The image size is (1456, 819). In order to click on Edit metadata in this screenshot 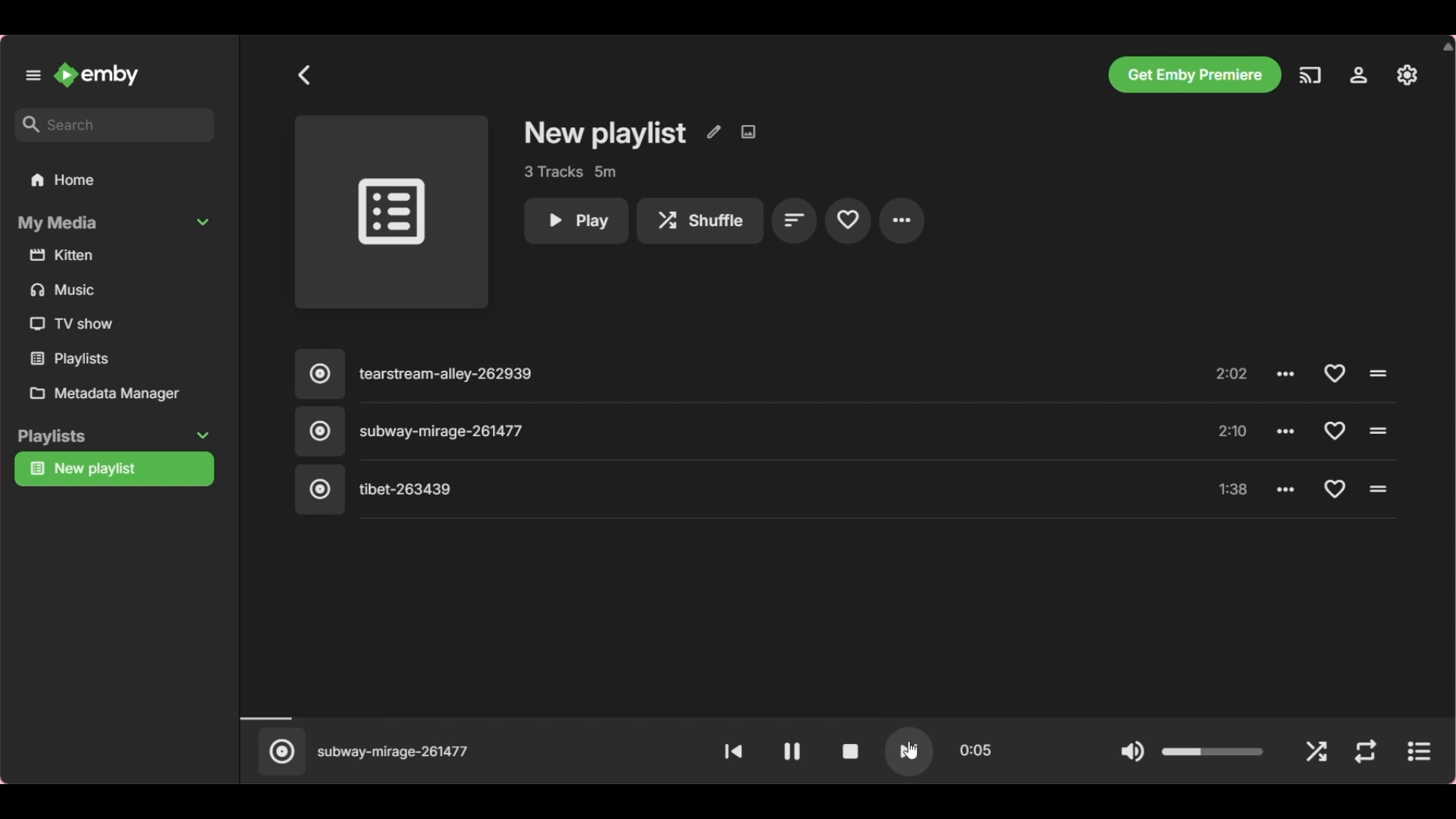, I will do `click(712, 133)`.